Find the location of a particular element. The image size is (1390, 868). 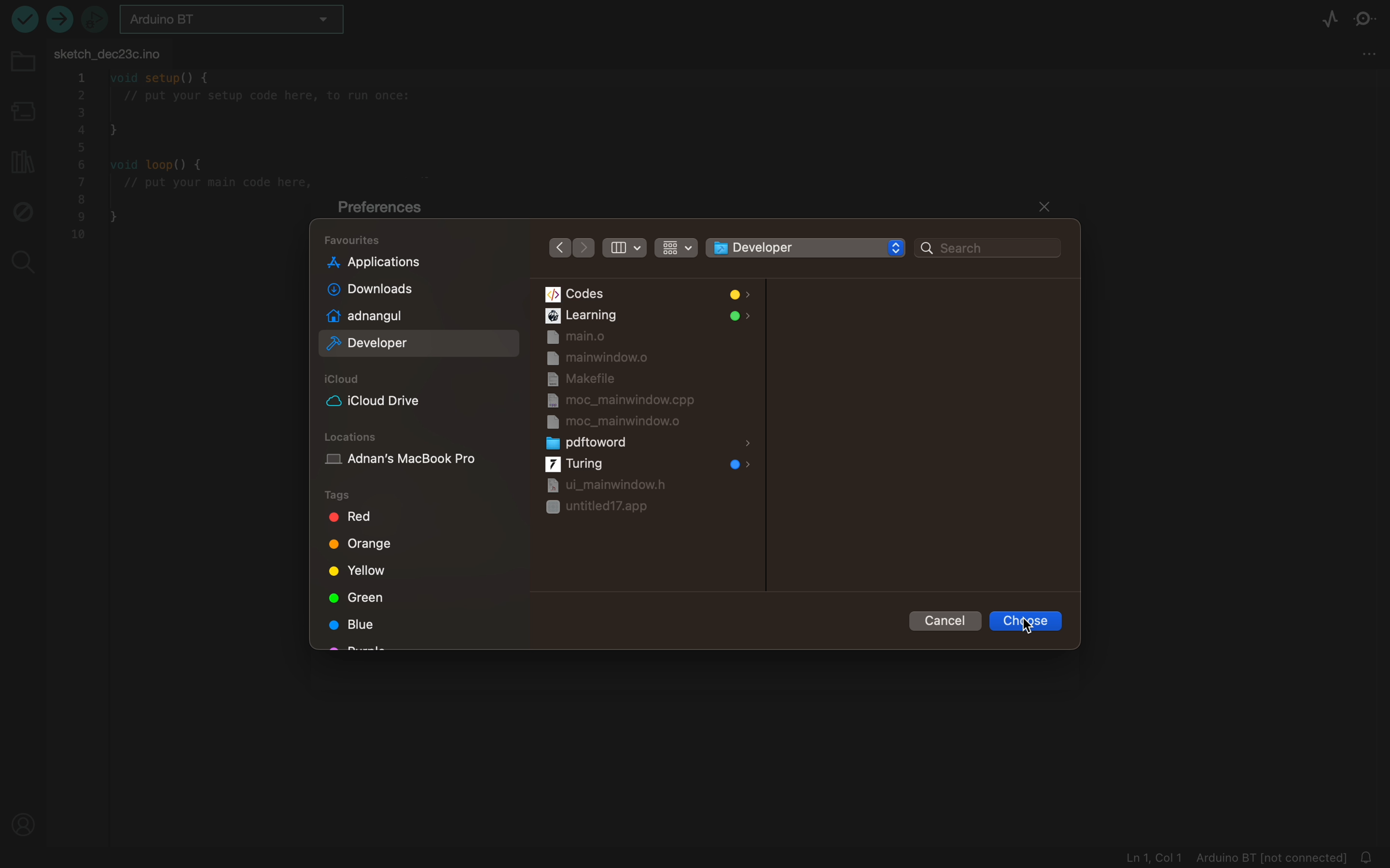

main window is located at coordinates (601, 359).